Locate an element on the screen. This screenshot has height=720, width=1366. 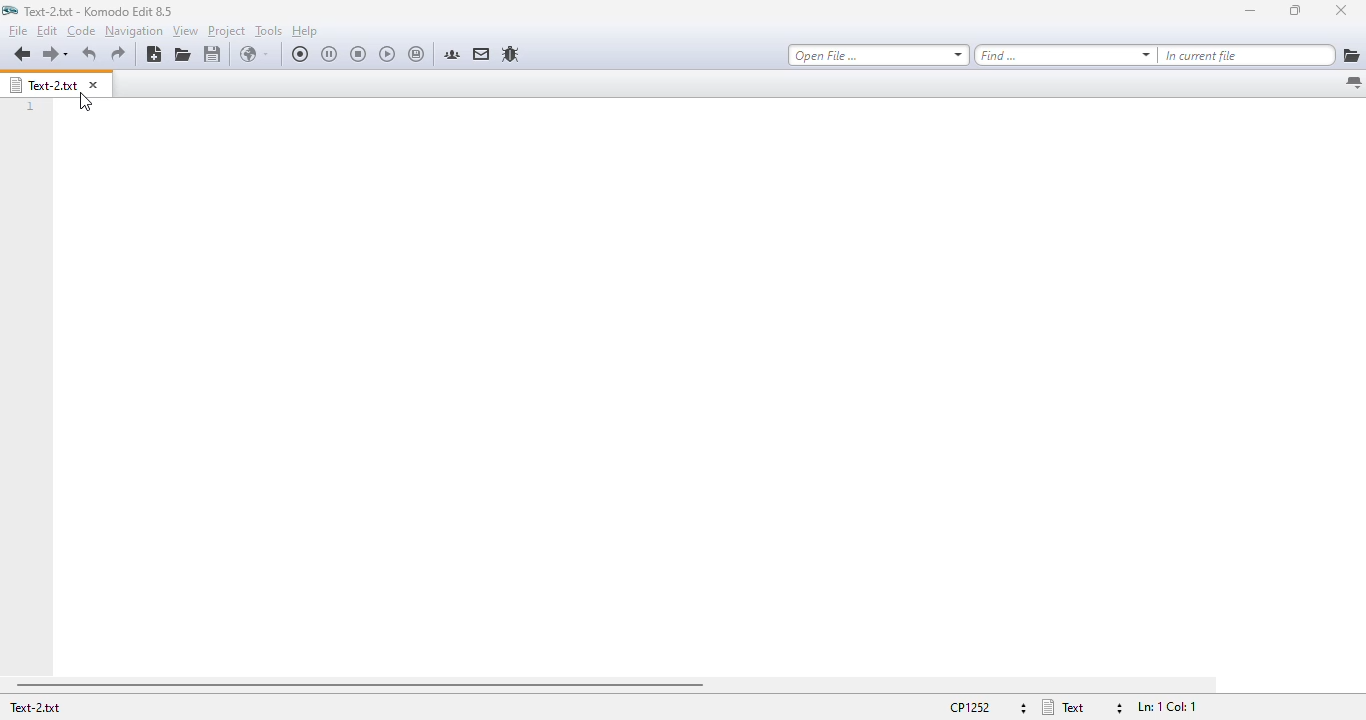
project is located at coordinates (227, 31).